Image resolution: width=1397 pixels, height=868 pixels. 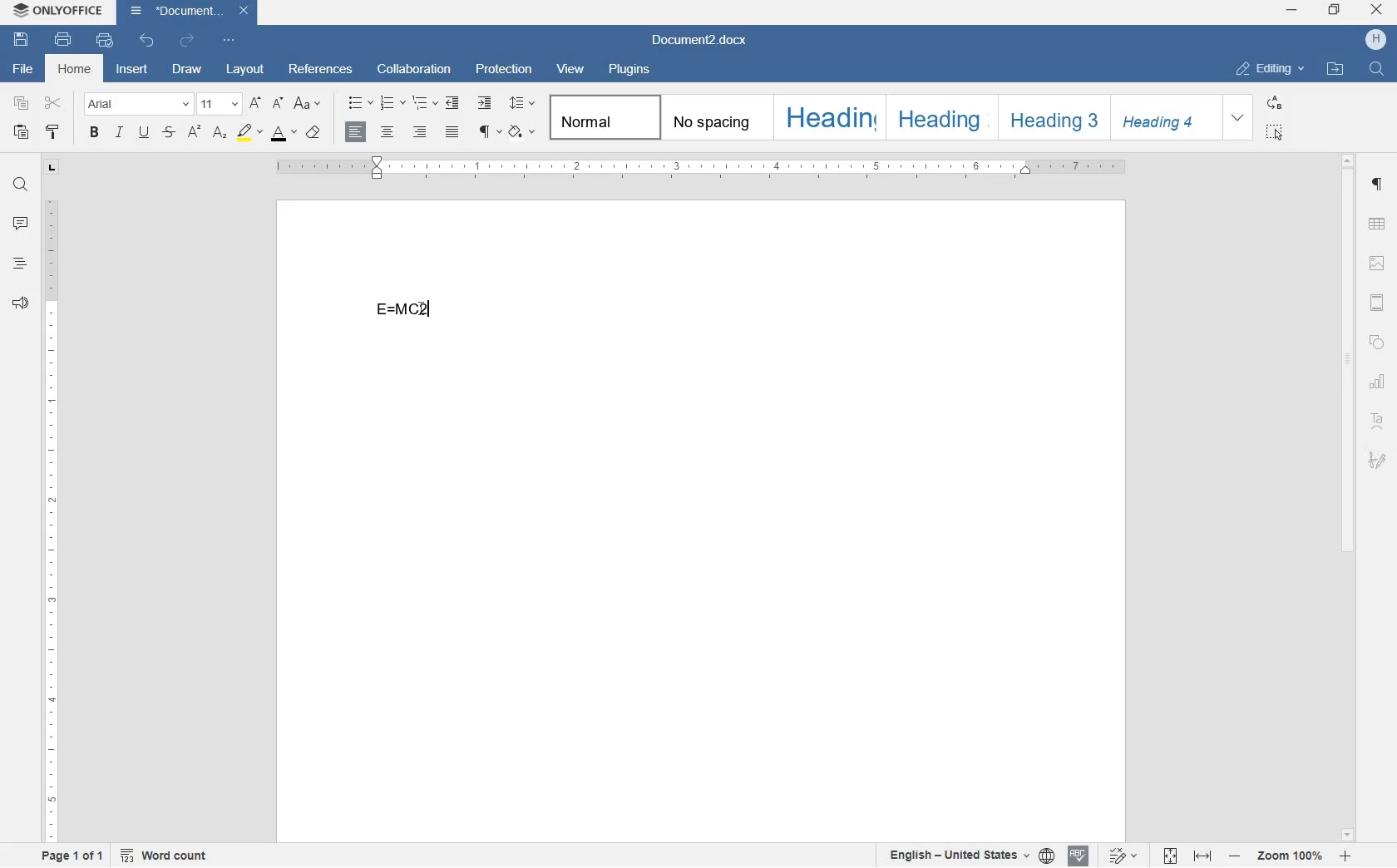 What do you see at coordinates (56, 10) in the screenshot?
I see `system name` at bounding box center [56, 10].